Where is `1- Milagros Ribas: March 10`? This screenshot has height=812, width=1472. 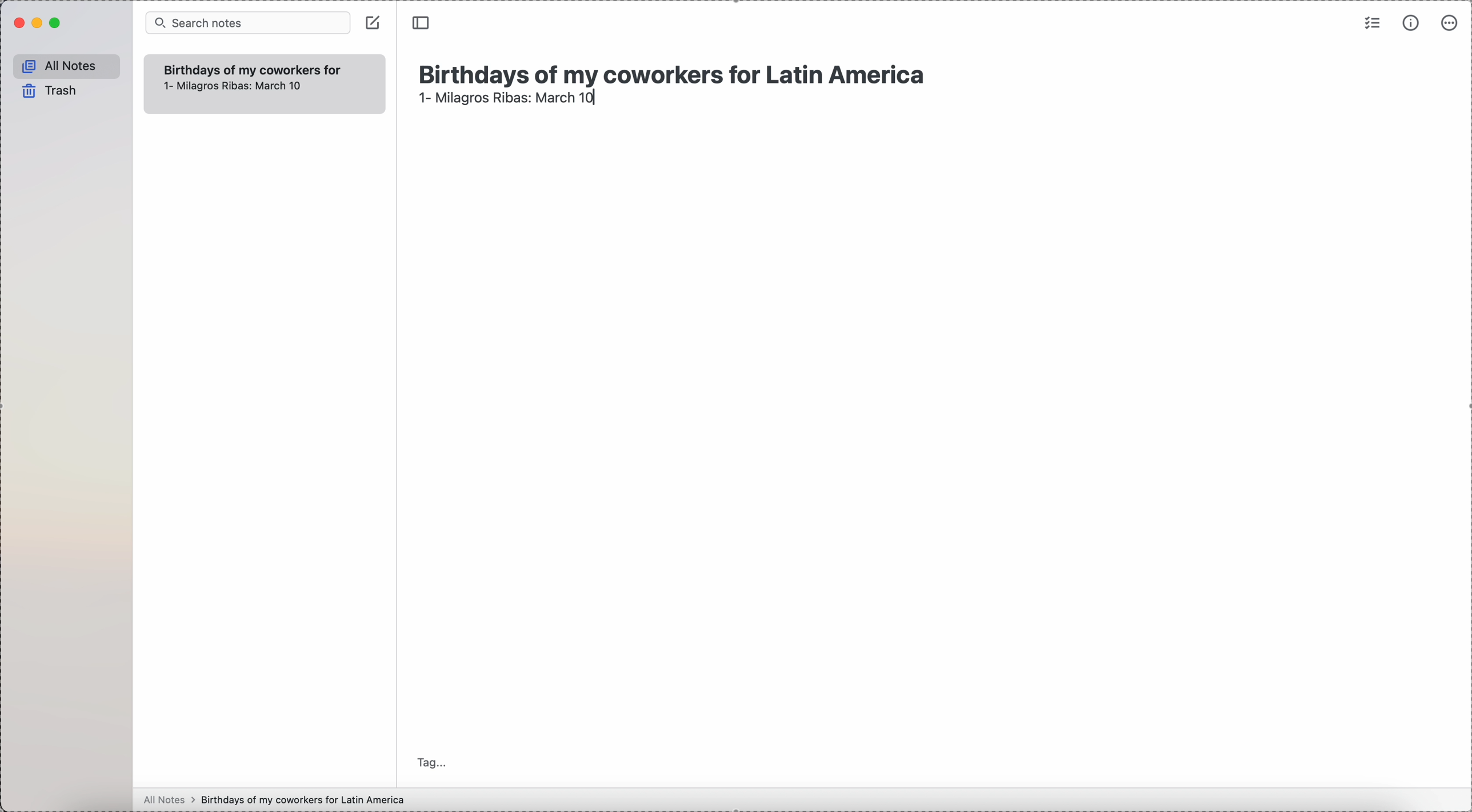 1- Milagros Ribas: March 10 is located at coordinates (230, 86).